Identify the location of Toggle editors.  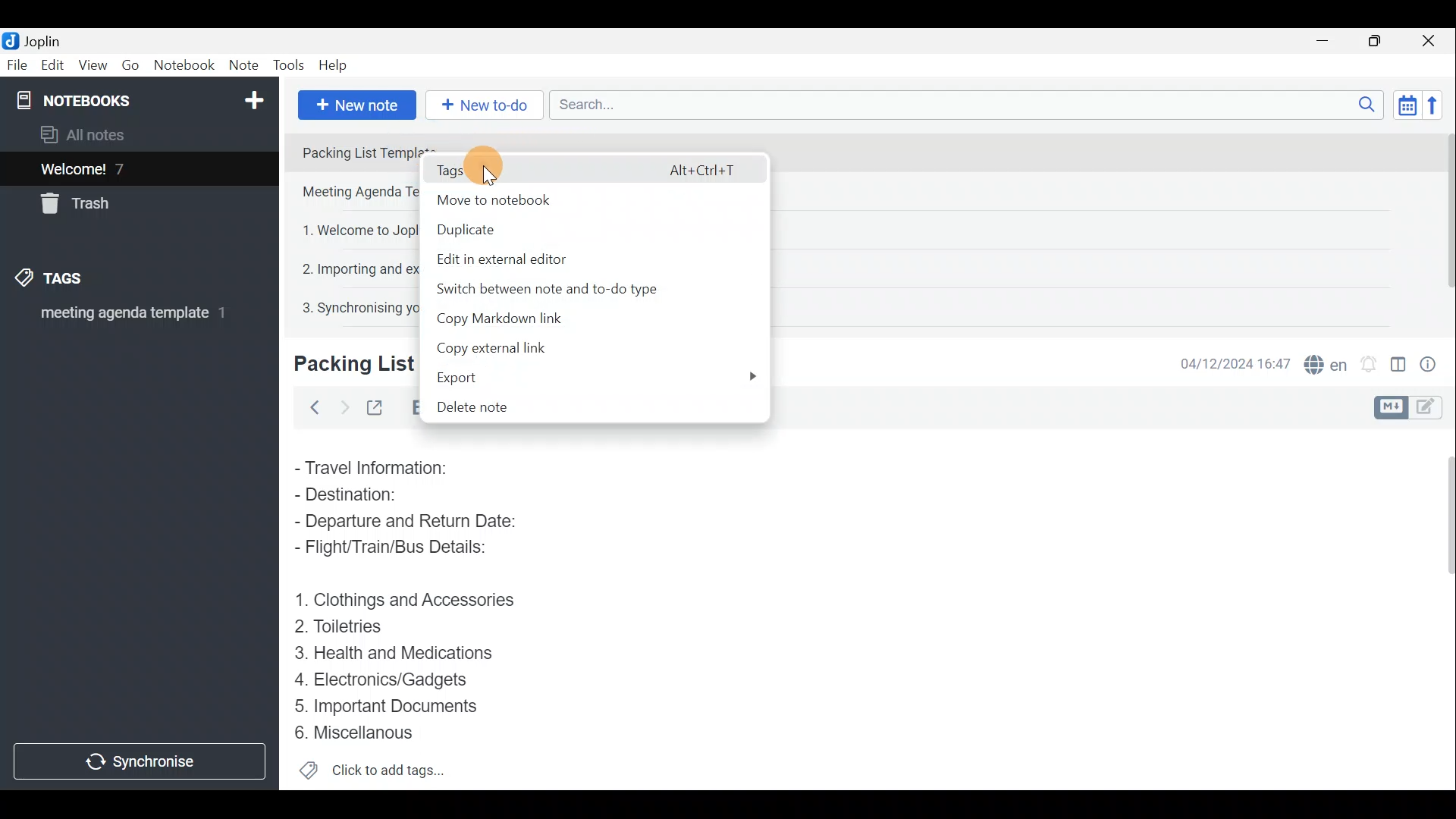
(1433, 409).